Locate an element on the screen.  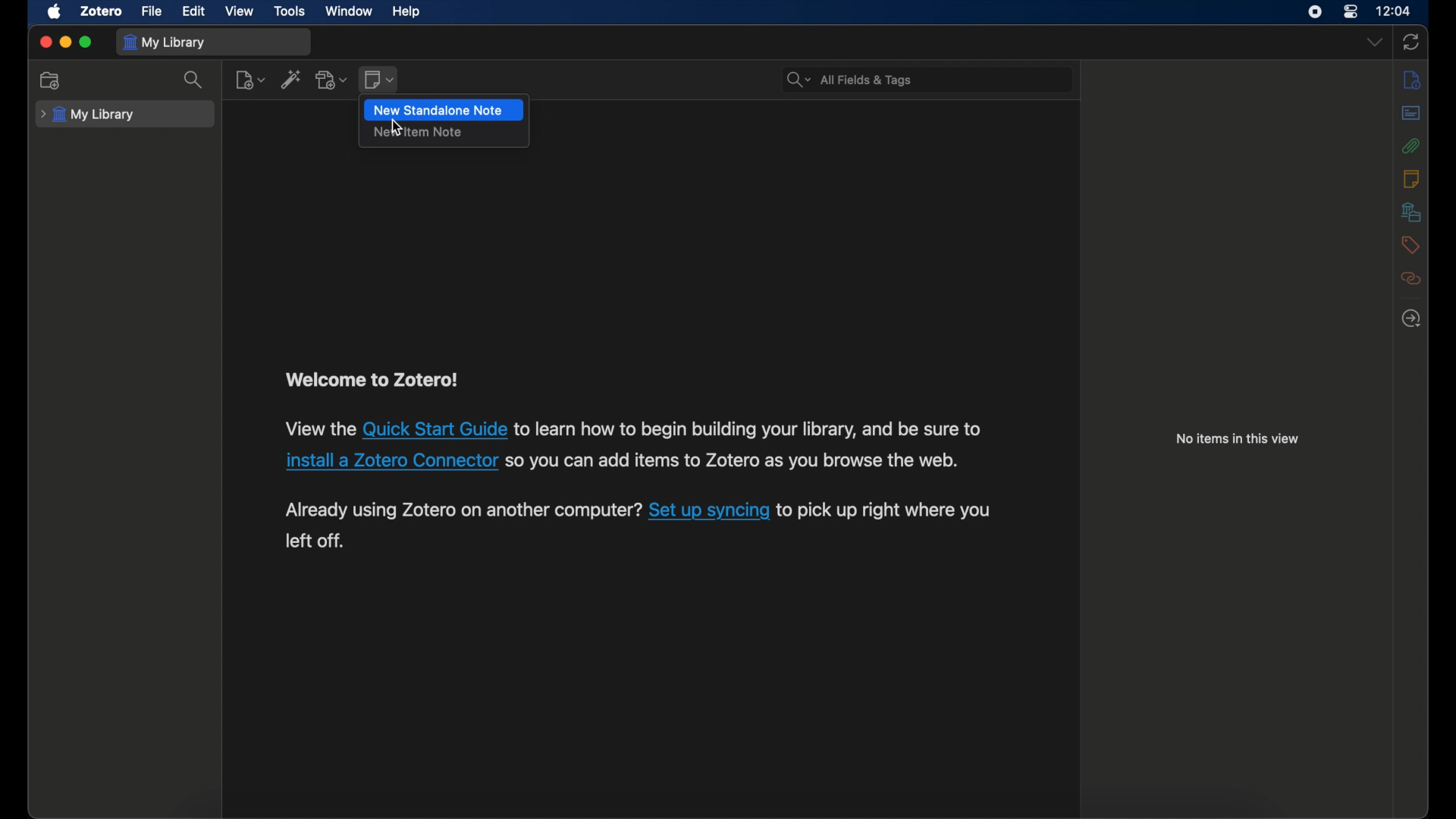
search is located at coordinates (852, 80).